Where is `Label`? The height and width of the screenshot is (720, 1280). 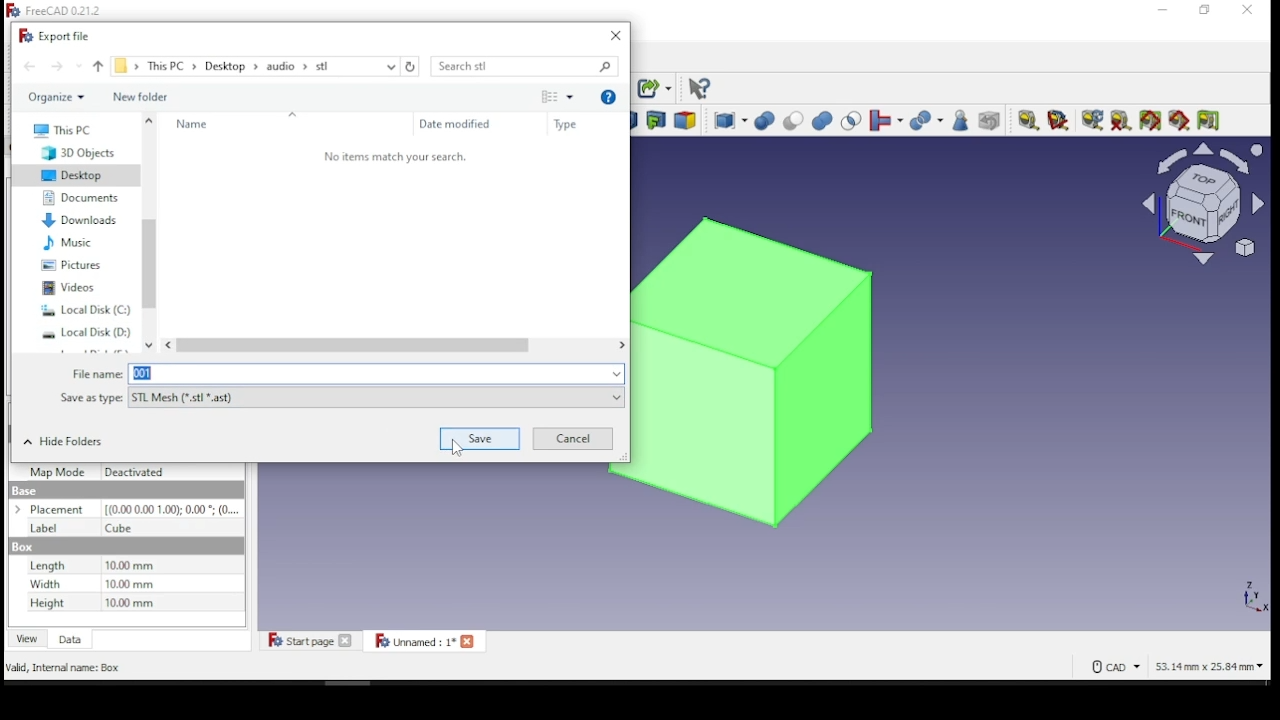 Label is located at coordinates (45, 529).